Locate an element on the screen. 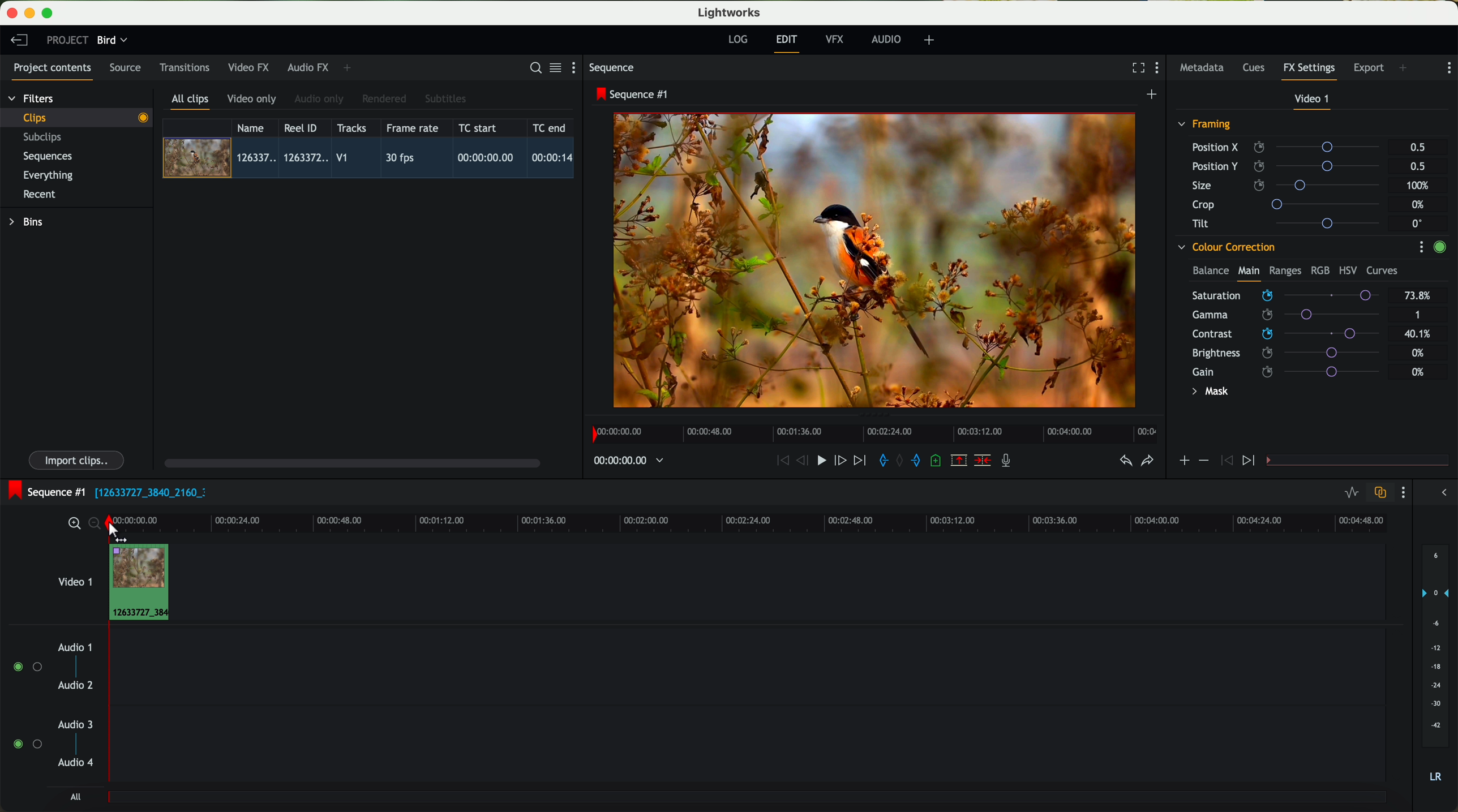 The width and height of the screenshot is (1458, 812). 40.1% is located at coordinates (1421, 334).